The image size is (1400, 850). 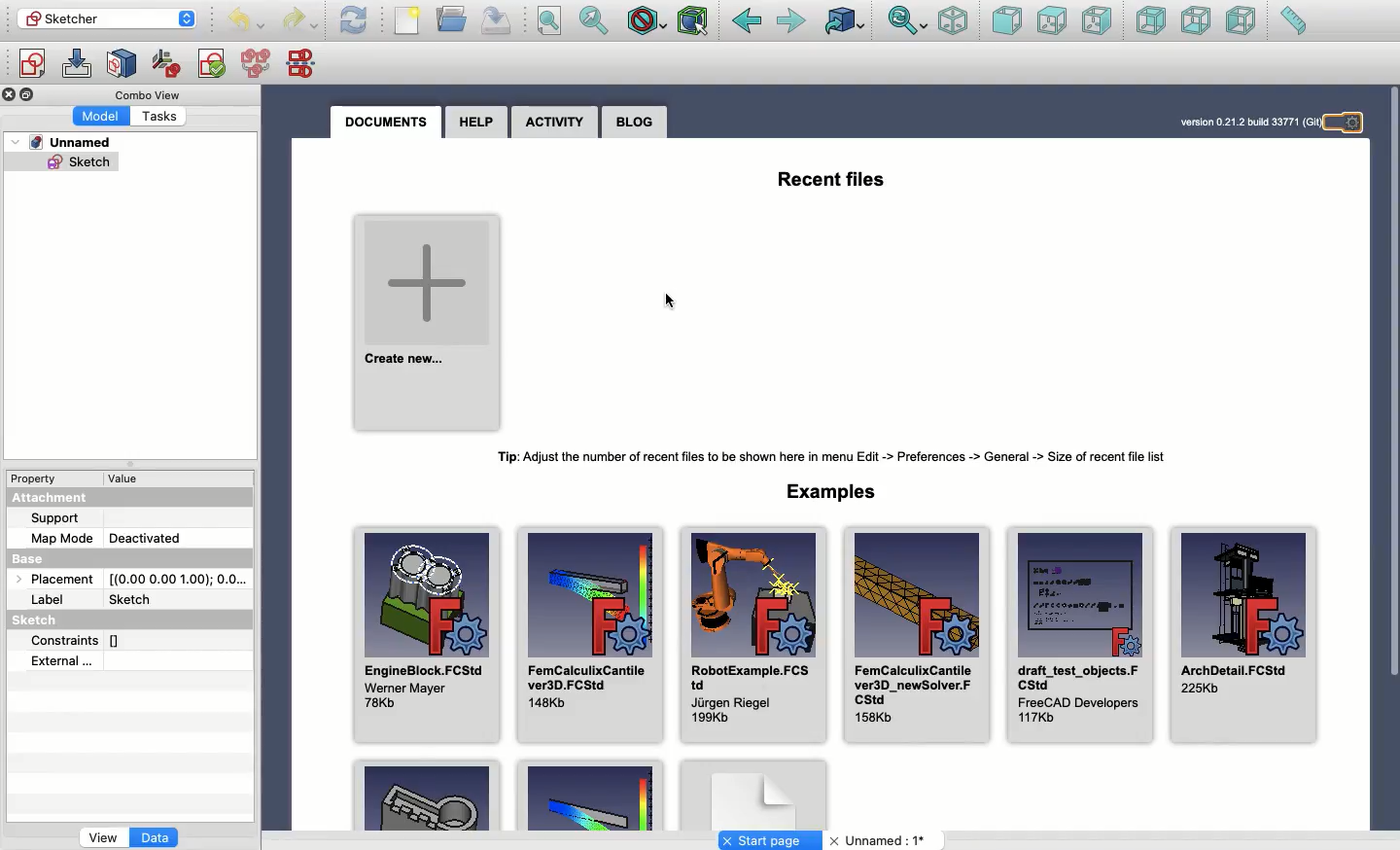 What do you see at coordinates (1080, 636) in the screenshot?
I see `draft_test_objects.FCStd FreeCAD Developers 117Kb` at bounding box center [1080, 636].